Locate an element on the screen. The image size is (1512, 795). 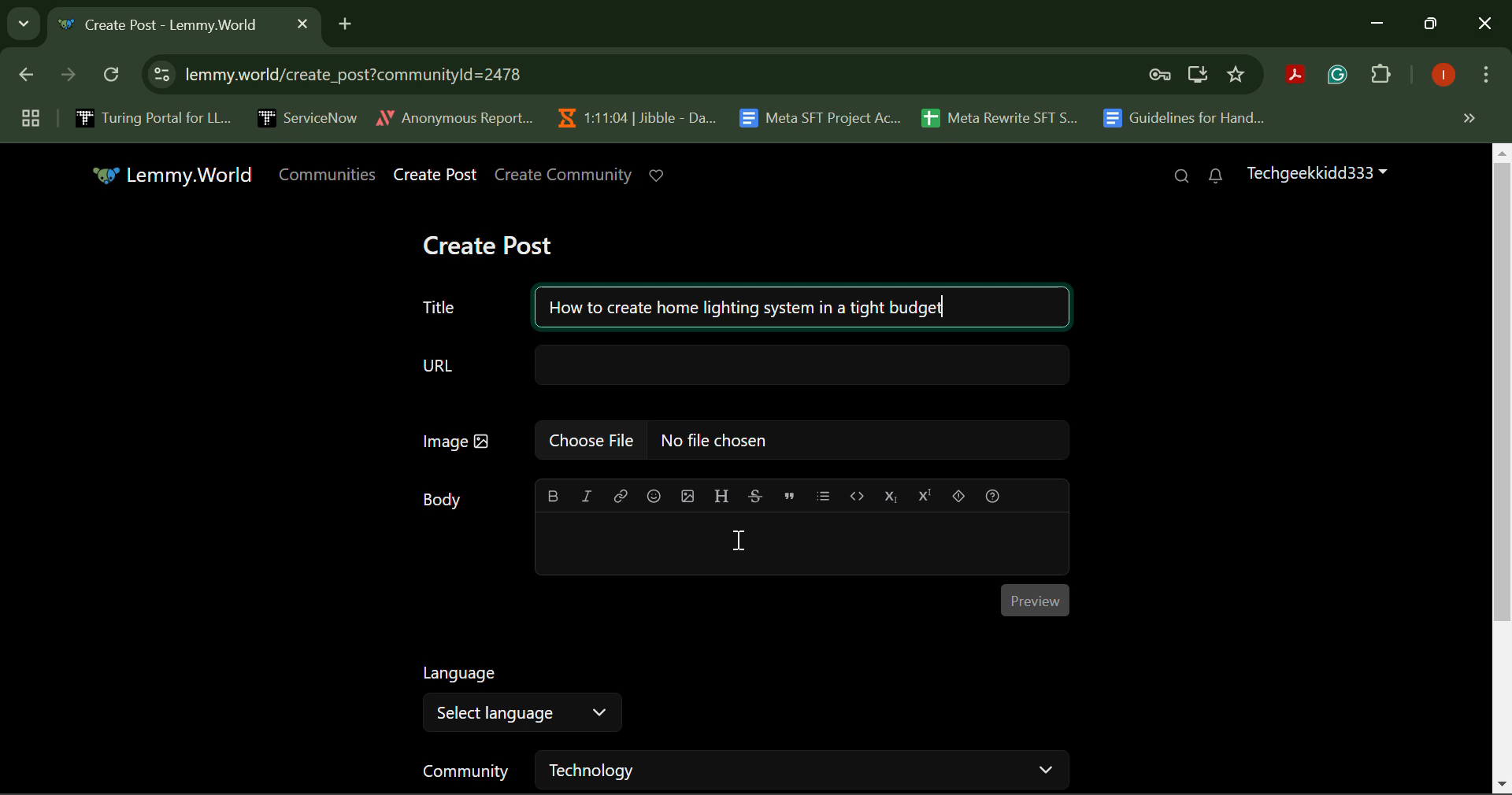
Webpage Heading is located at coordinates (167, 27).